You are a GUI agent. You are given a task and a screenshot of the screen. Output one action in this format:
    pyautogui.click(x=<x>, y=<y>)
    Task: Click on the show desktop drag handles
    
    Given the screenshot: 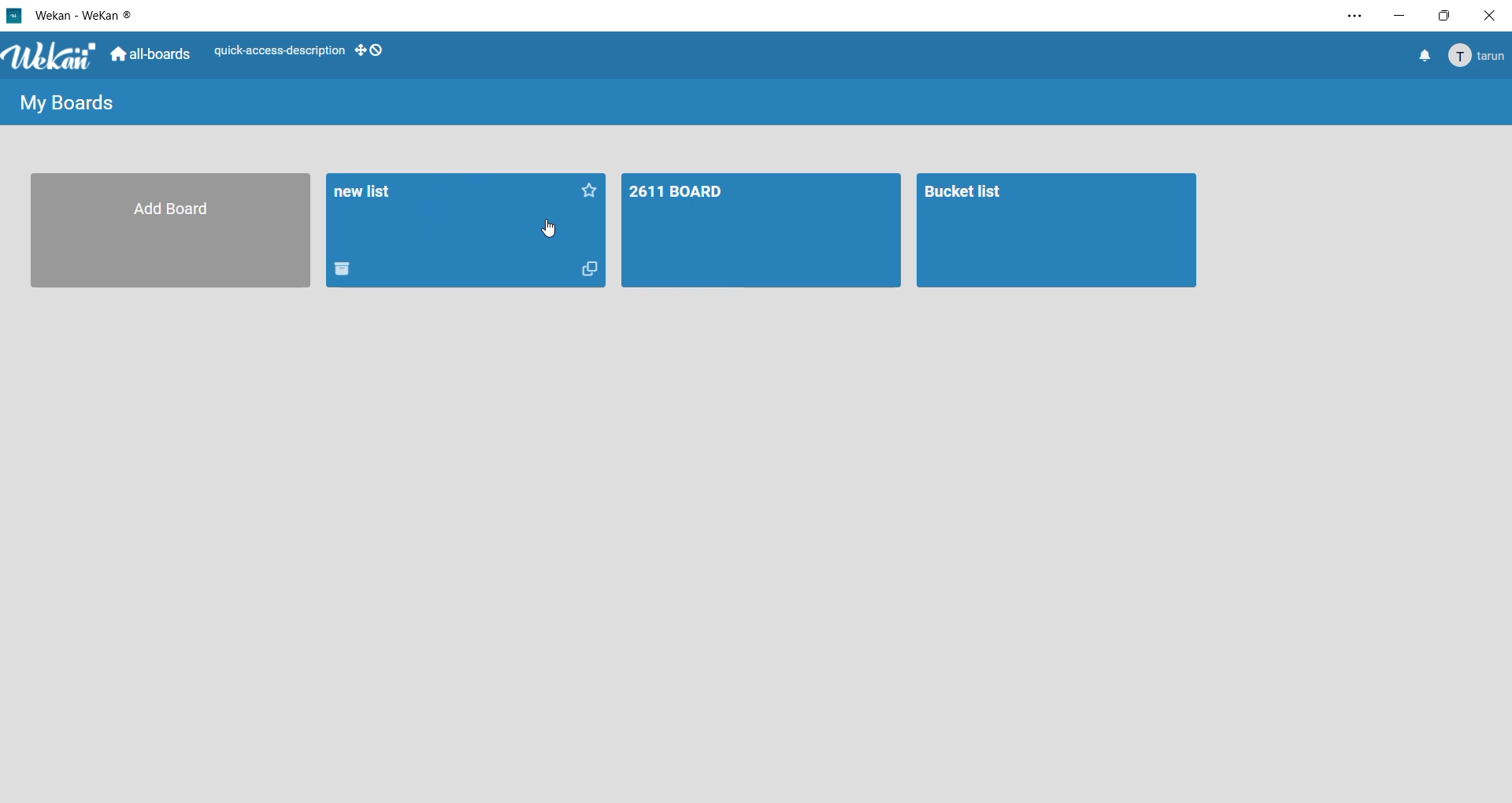 What is the action you would take?
    pyautogui.click(x=371, y=50)
    